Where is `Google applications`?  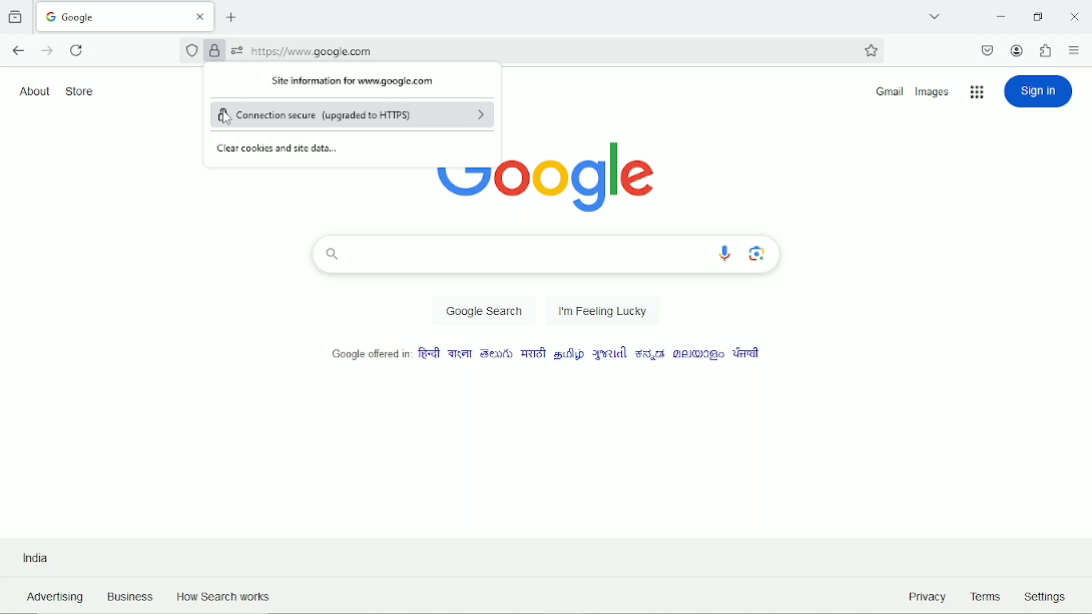 Google applications is located at coordinates (977, 92).